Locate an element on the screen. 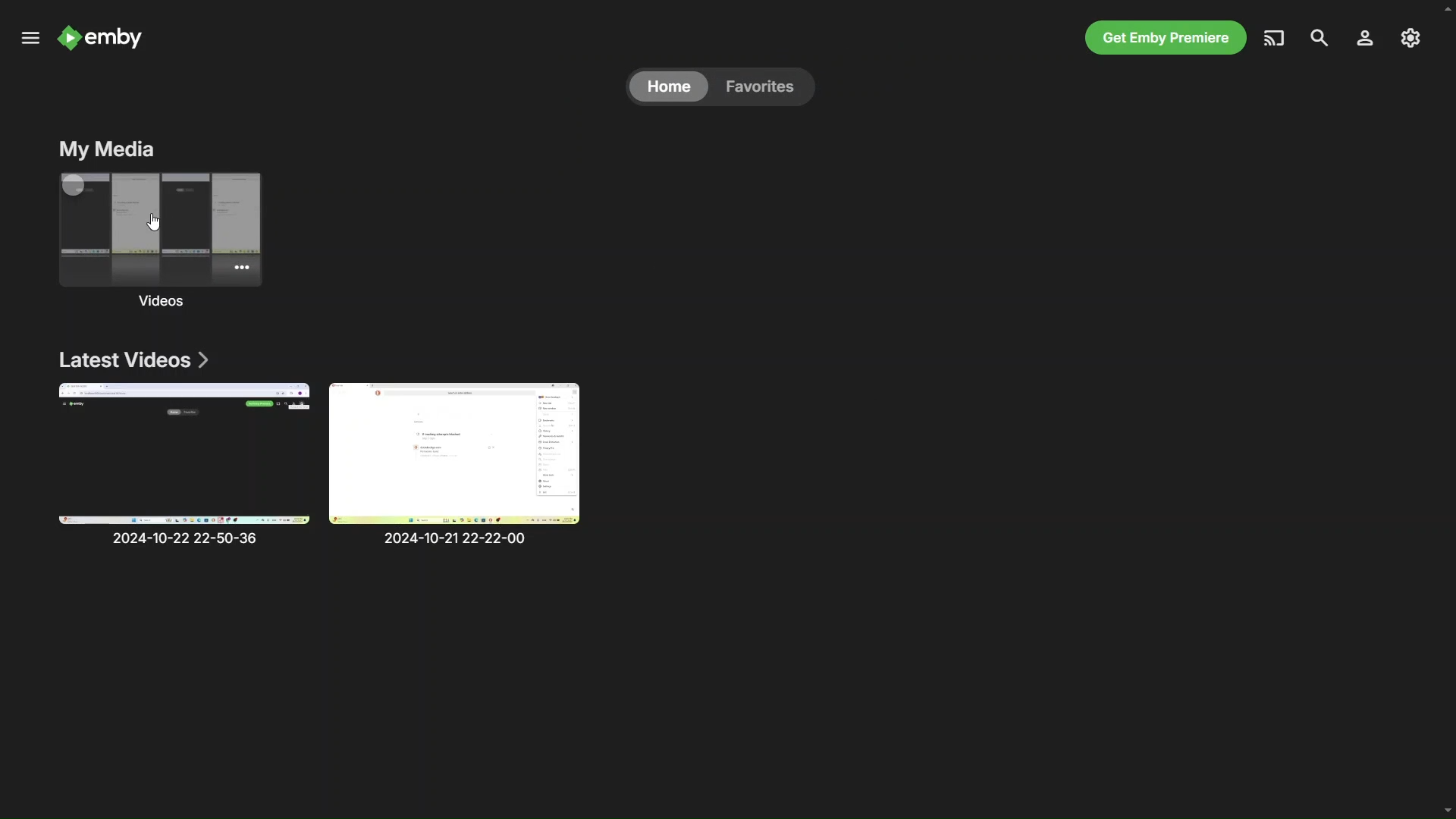 The width and height of the screenshot is (1456, 819). videos is located at coordinates (162, 241).